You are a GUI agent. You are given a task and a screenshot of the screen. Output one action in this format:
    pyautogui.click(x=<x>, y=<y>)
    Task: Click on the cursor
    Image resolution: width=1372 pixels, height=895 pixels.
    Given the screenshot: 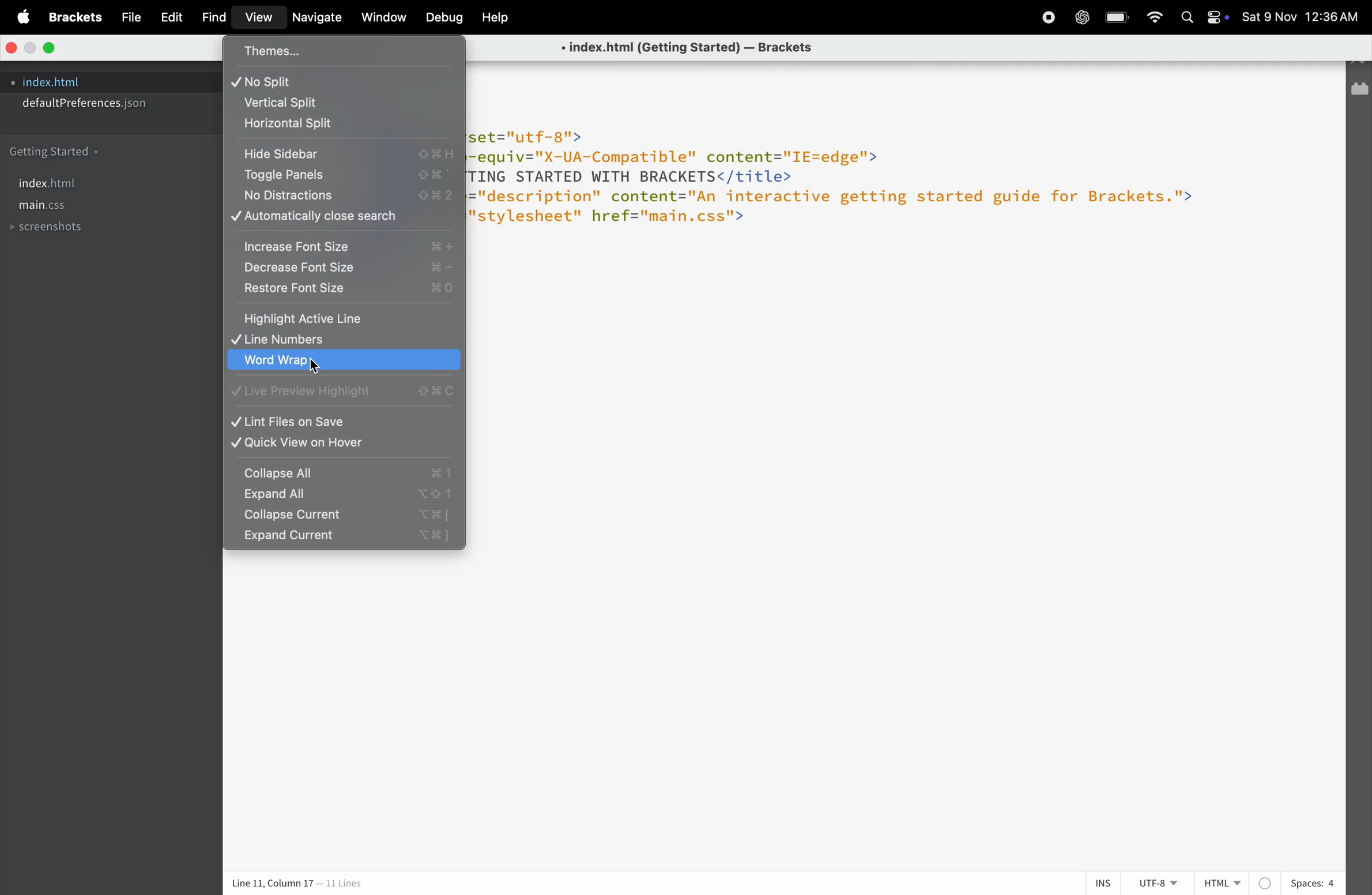 What is the action you would take?
    pyautogui.click(x=317, y=370)
    